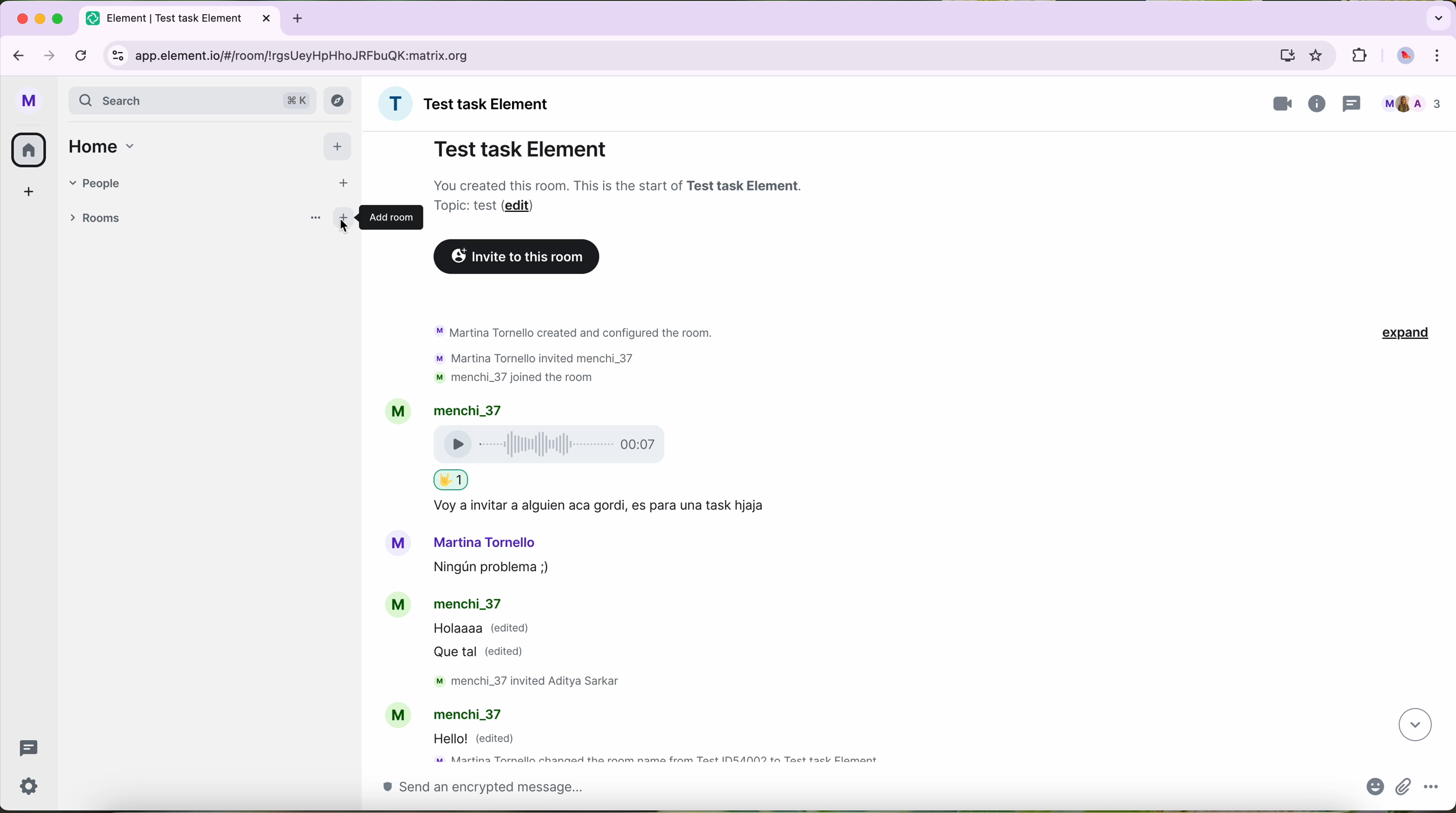 The height and width of the screenshot is (813, 1456). What do you see at coordinates (579, 332) in the screenshot?
I see `text` at bounding box center [579, 332].